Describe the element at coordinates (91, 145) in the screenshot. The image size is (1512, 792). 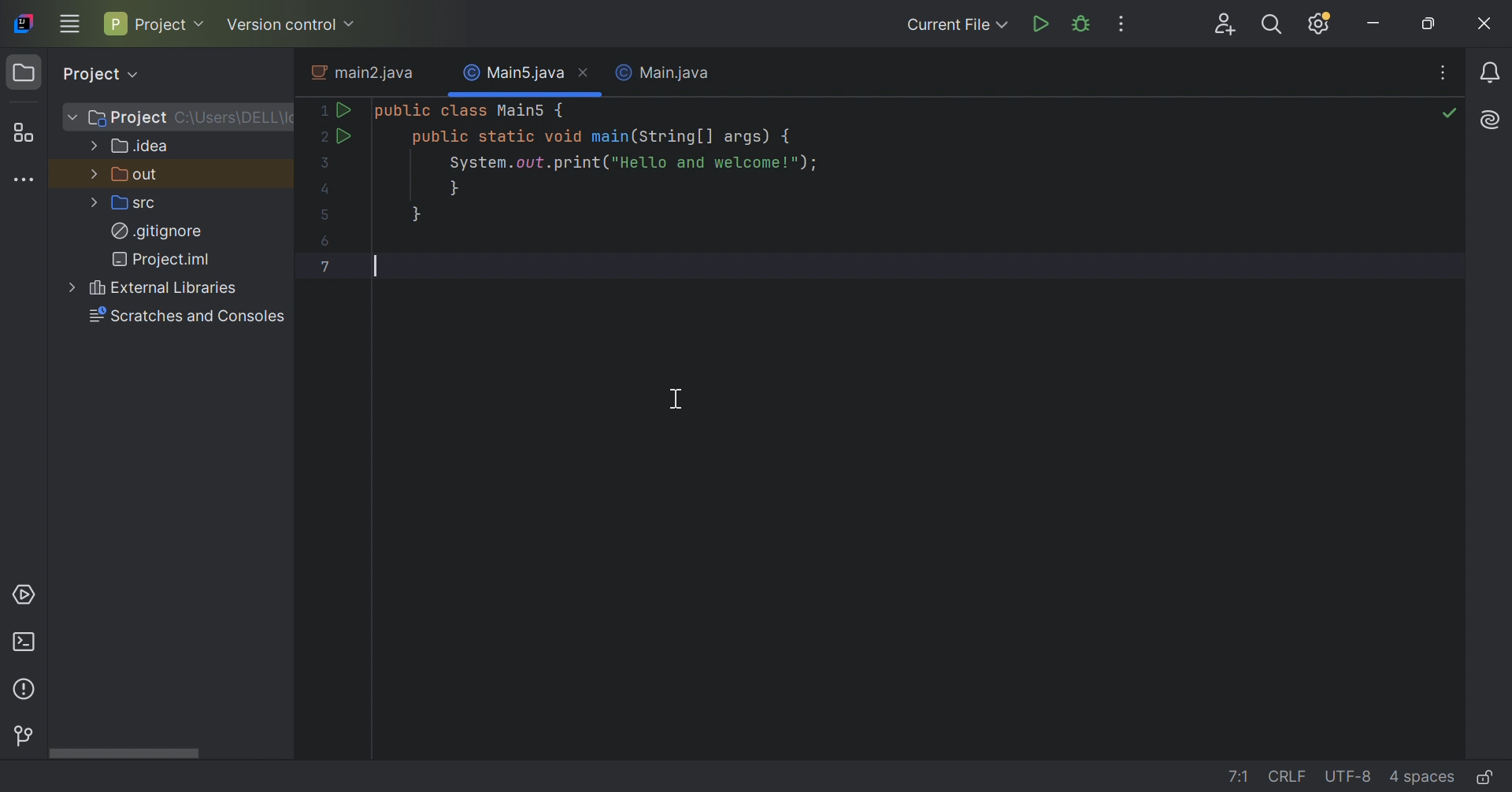
I see `More` at that location.